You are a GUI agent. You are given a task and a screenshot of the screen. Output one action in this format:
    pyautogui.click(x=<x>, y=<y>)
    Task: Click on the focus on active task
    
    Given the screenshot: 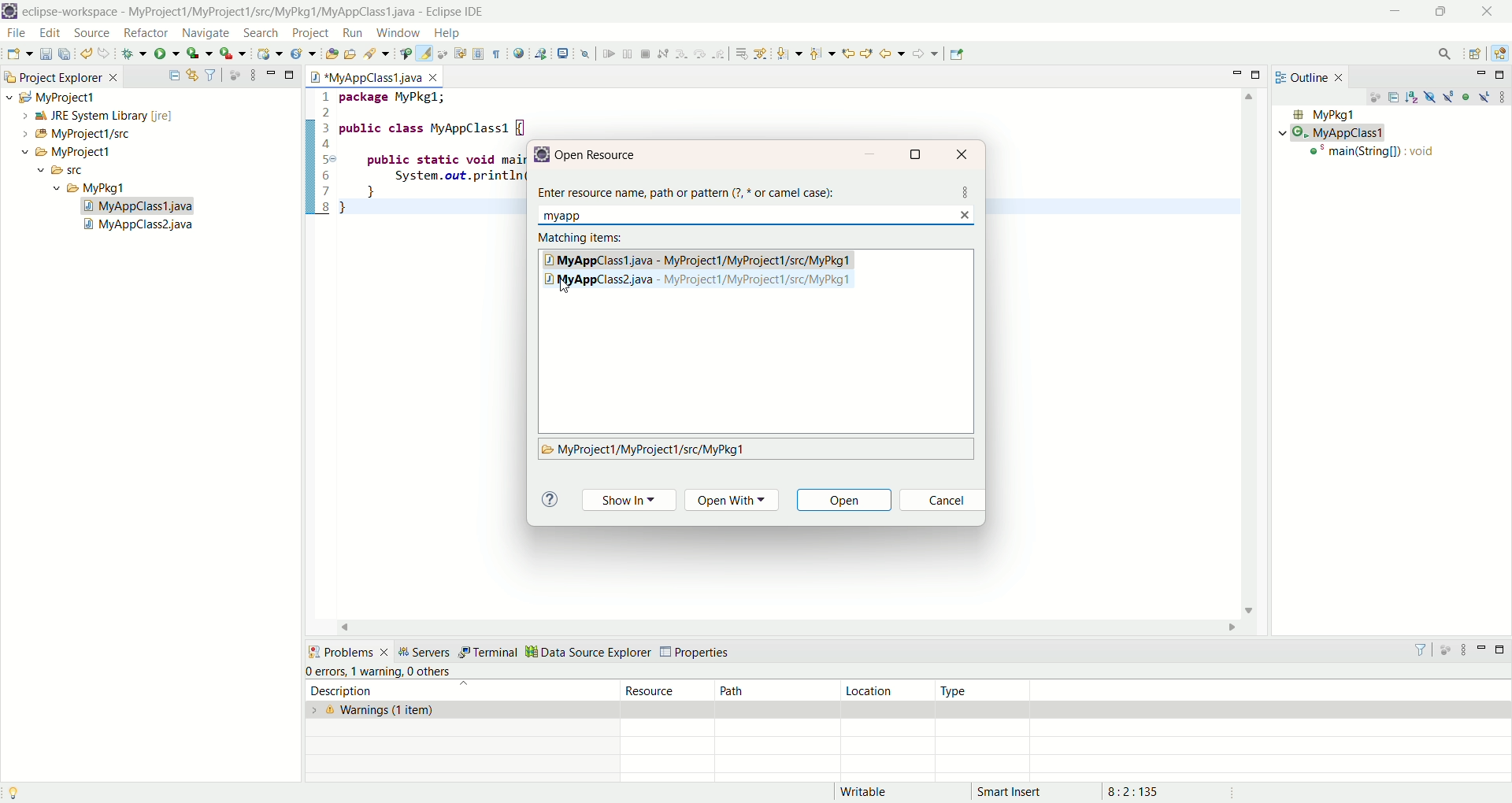 What is the action you would take?
    pyautogui.click(x=235, y=75)
    